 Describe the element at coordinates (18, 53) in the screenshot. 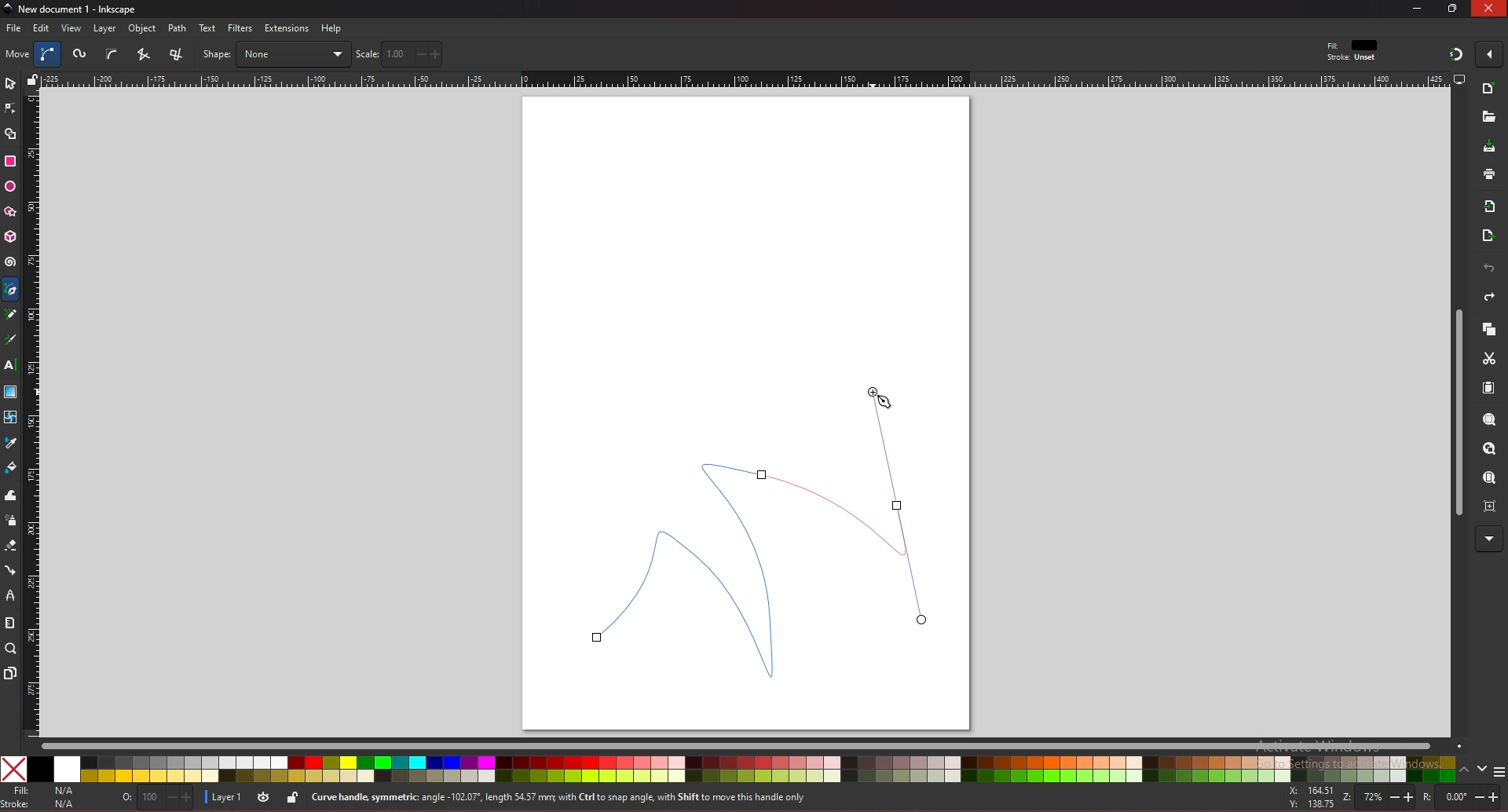

I see `move` at that location.